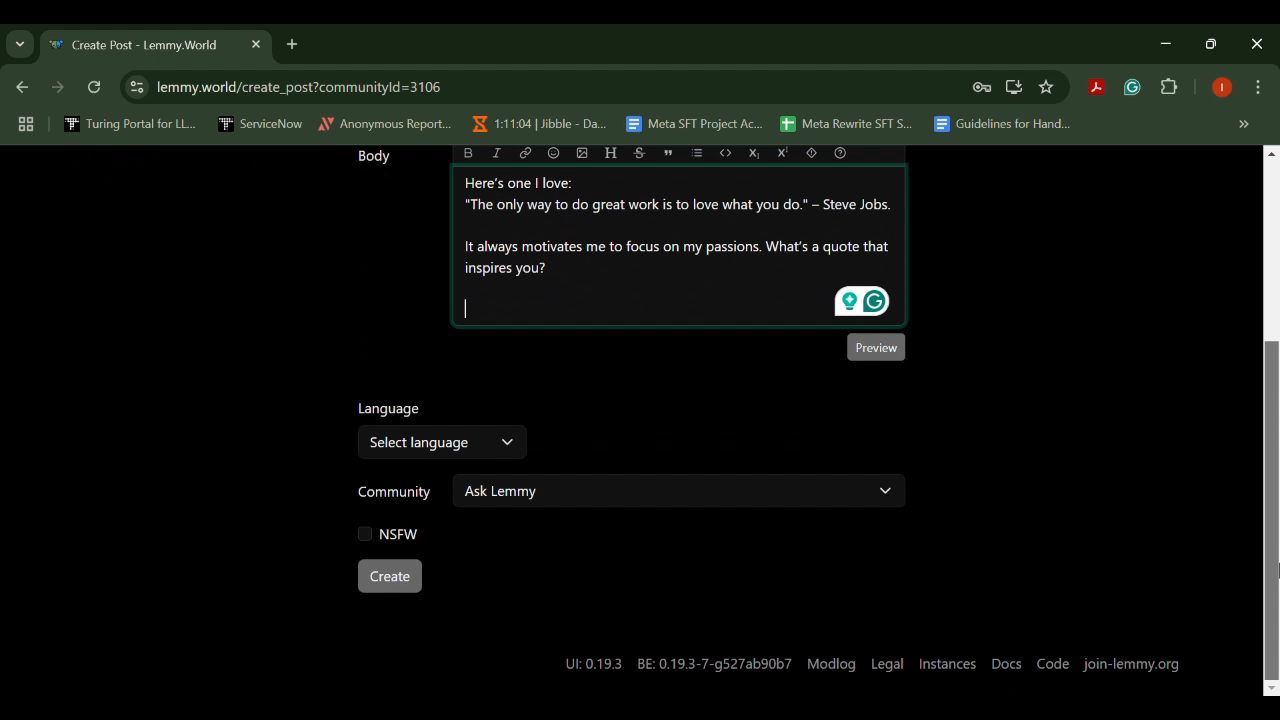 The height and width of the screenshot is (720, 1280). Describe the element at coordinates (1258, 44) in the screenshot. I see `Close Window` at that location.